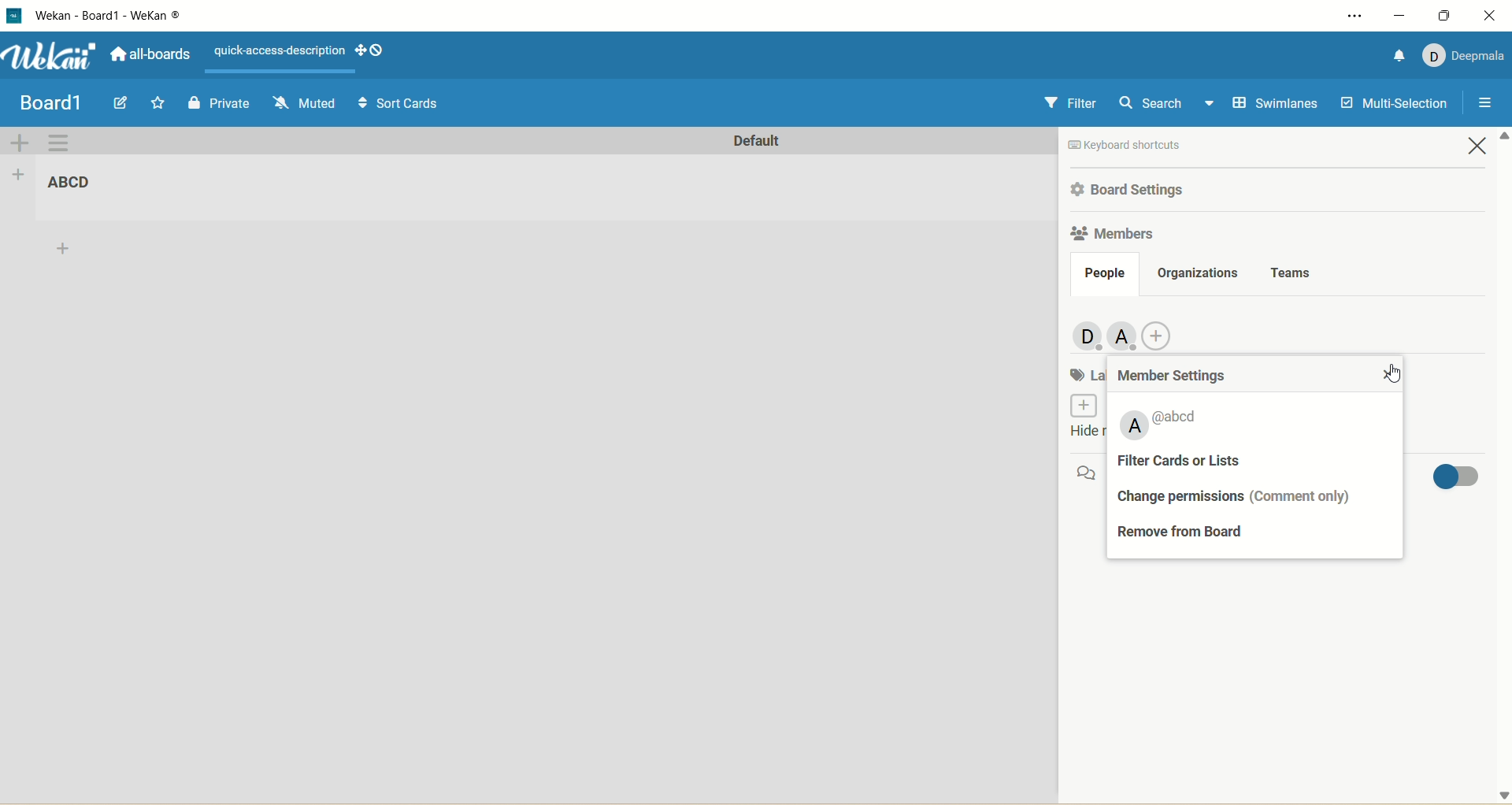 The width and height of the screenshot is (1512, 805). I want to click on people, so click(1104, 274).